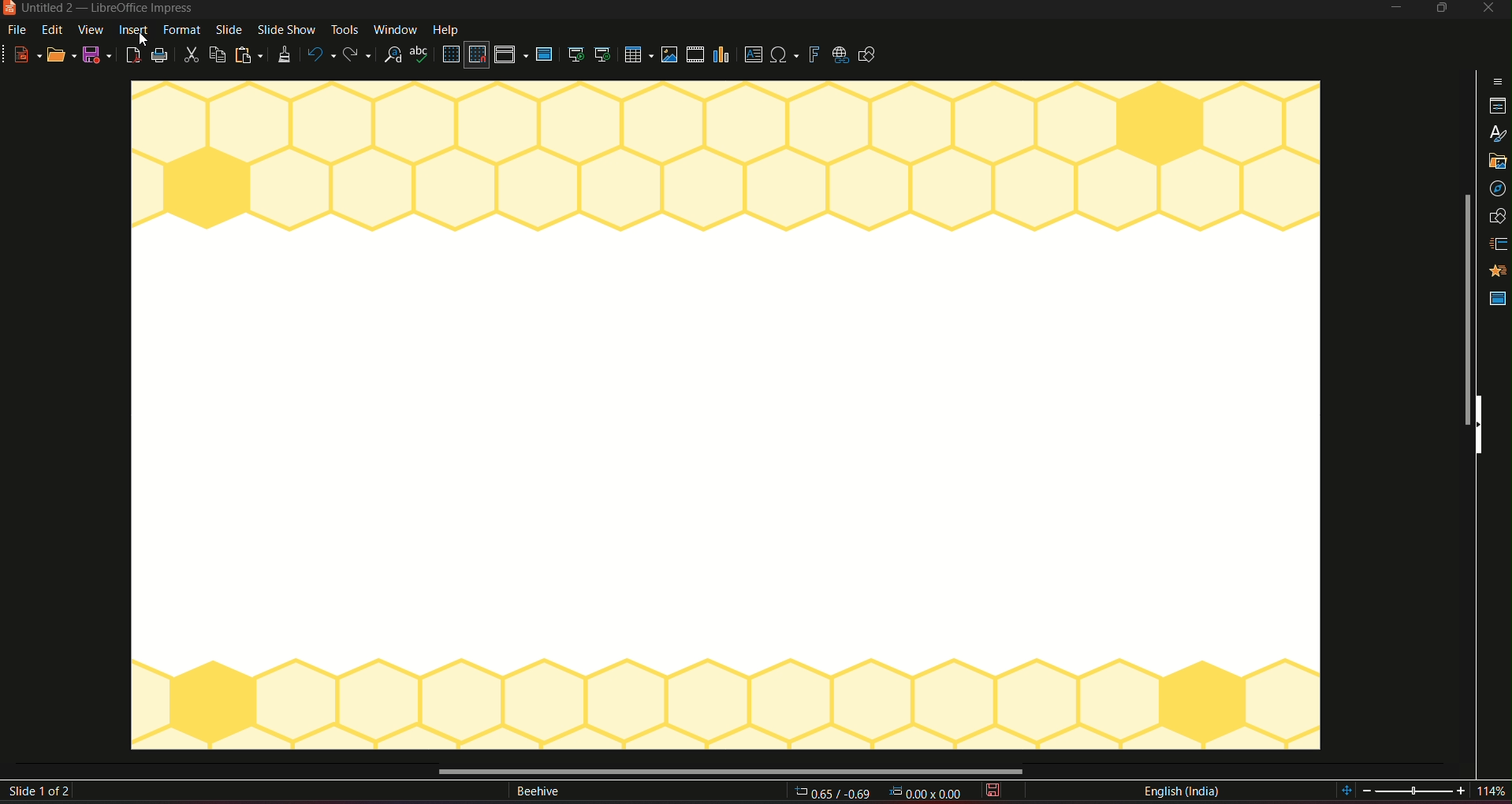 The width and height of the screenshot is (1512, 804). Describe the element at coordinates (53, 31) in the screenshot. I see `edit` at that location.